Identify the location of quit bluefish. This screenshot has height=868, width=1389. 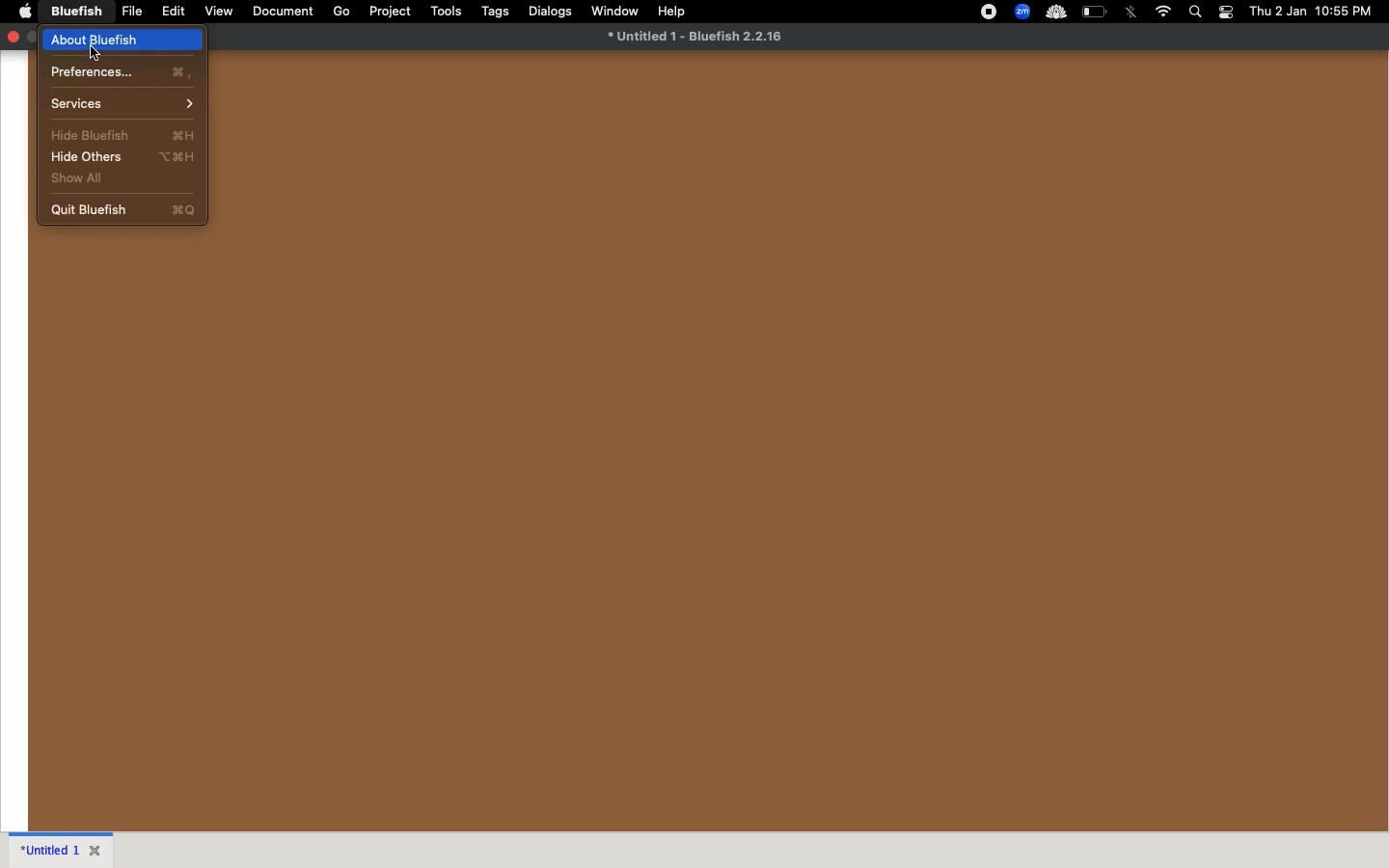
(123, 209).